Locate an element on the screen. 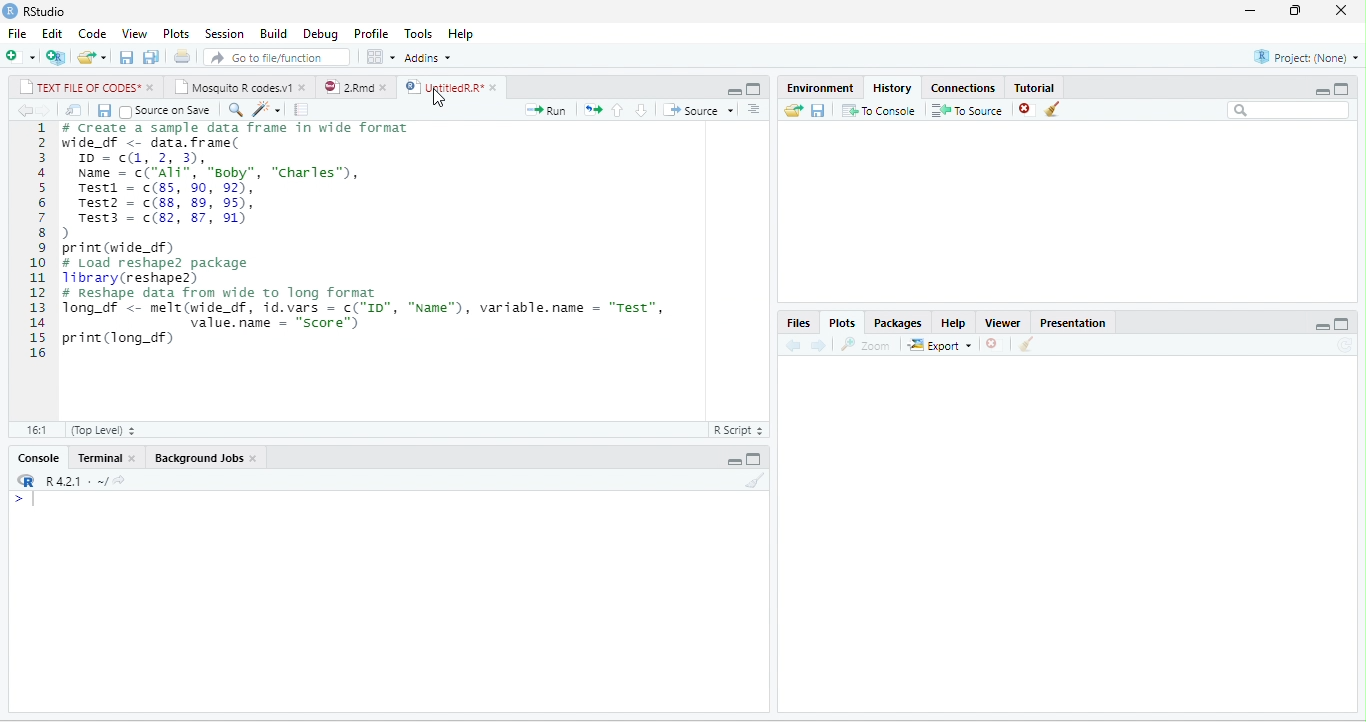  Project(None) is located at coordinates (1306, 57).